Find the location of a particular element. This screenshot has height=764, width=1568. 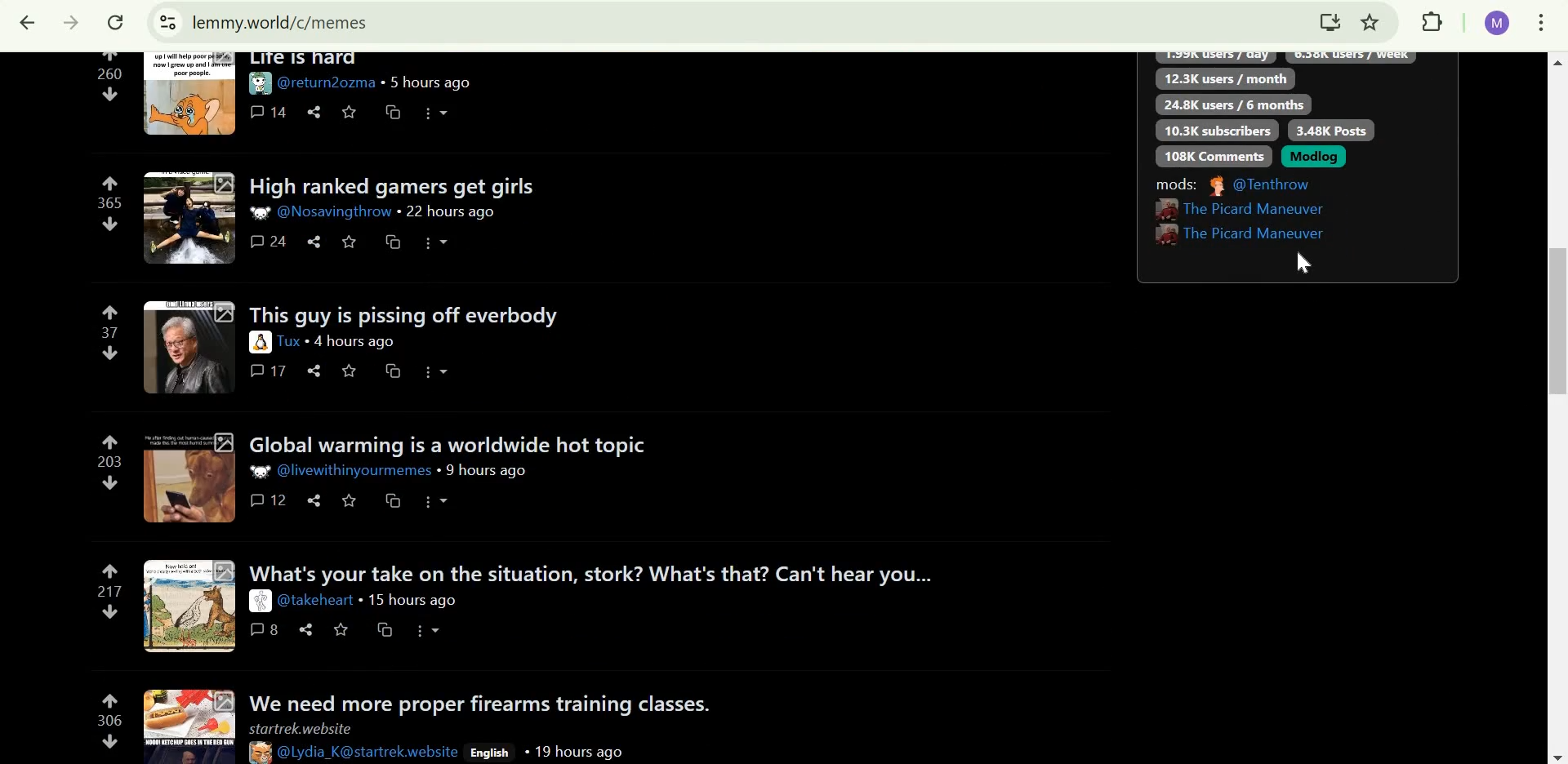

4 hours ago is located at coordinates (357, 343).